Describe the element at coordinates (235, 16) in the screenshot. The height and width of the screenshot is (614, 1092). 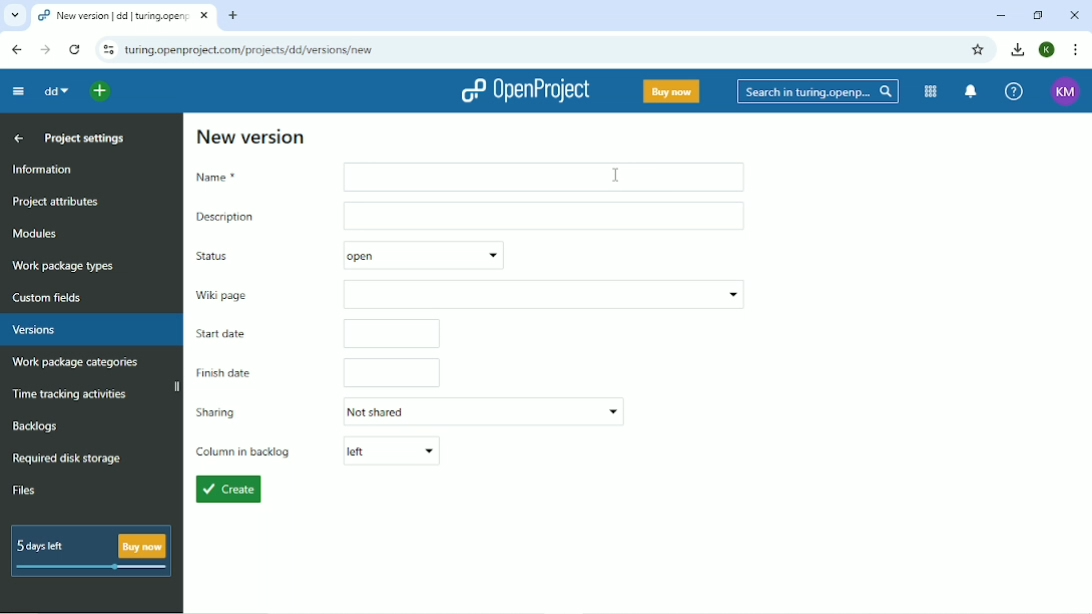
I see `New tab` at that location.